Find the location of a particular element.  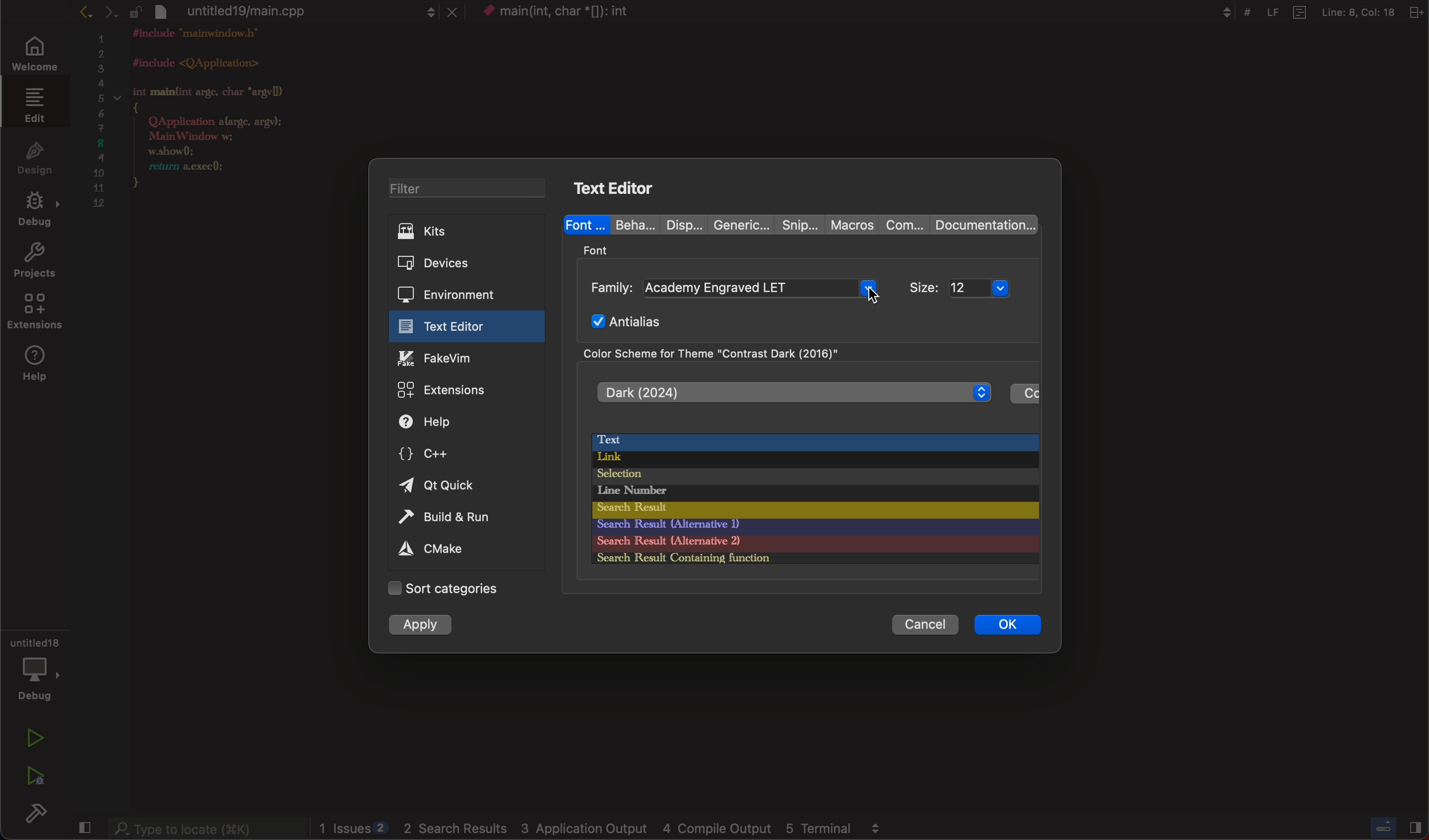

context is located at coordinates (570, 13).